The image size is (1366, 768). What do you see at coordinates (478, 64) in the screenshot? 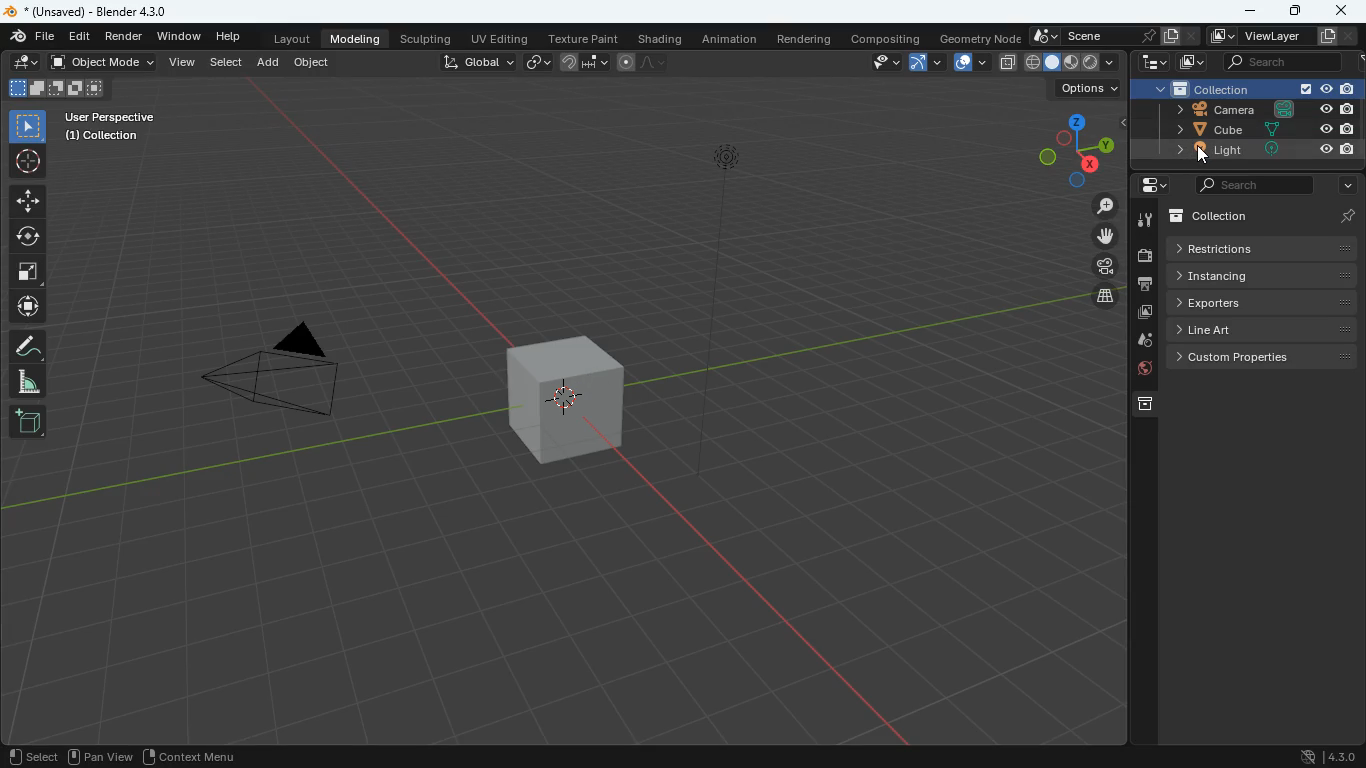
I see `global` at bounding box center [478, 64].